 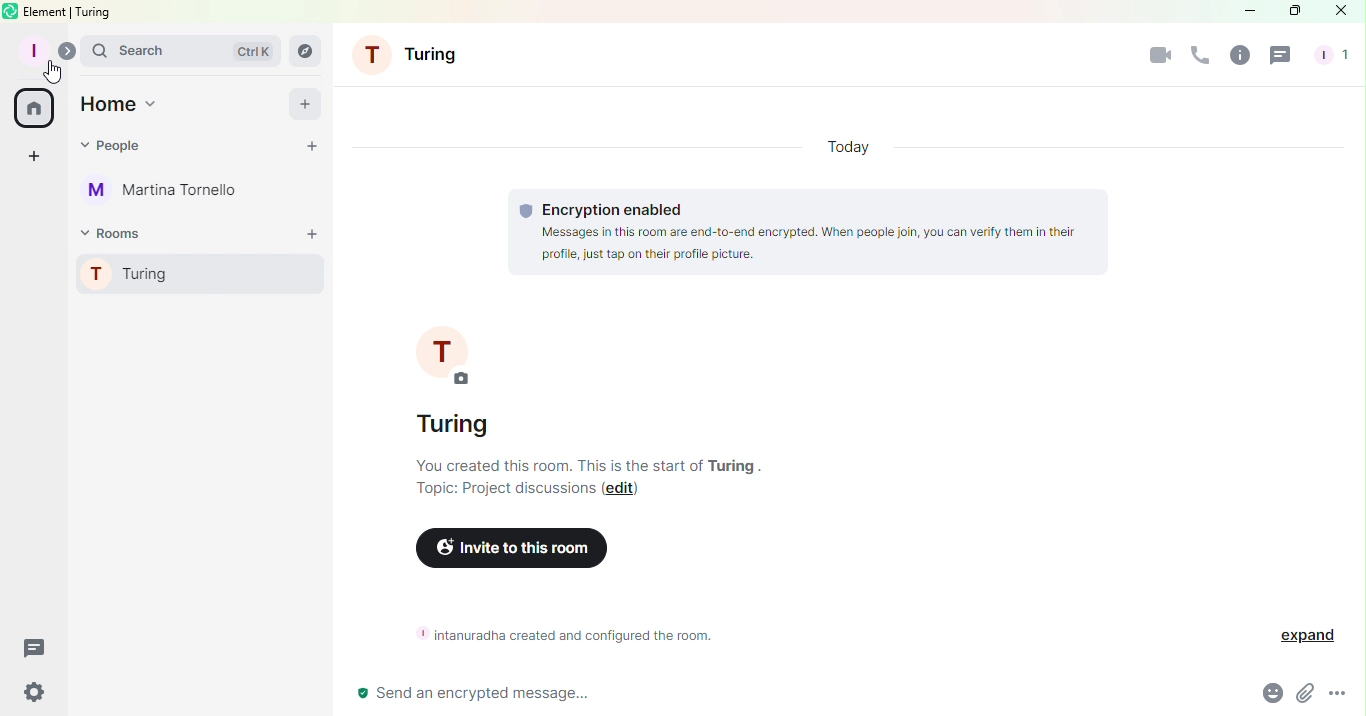 I want to click on Martina Tornello, so click(x=164, y=192).